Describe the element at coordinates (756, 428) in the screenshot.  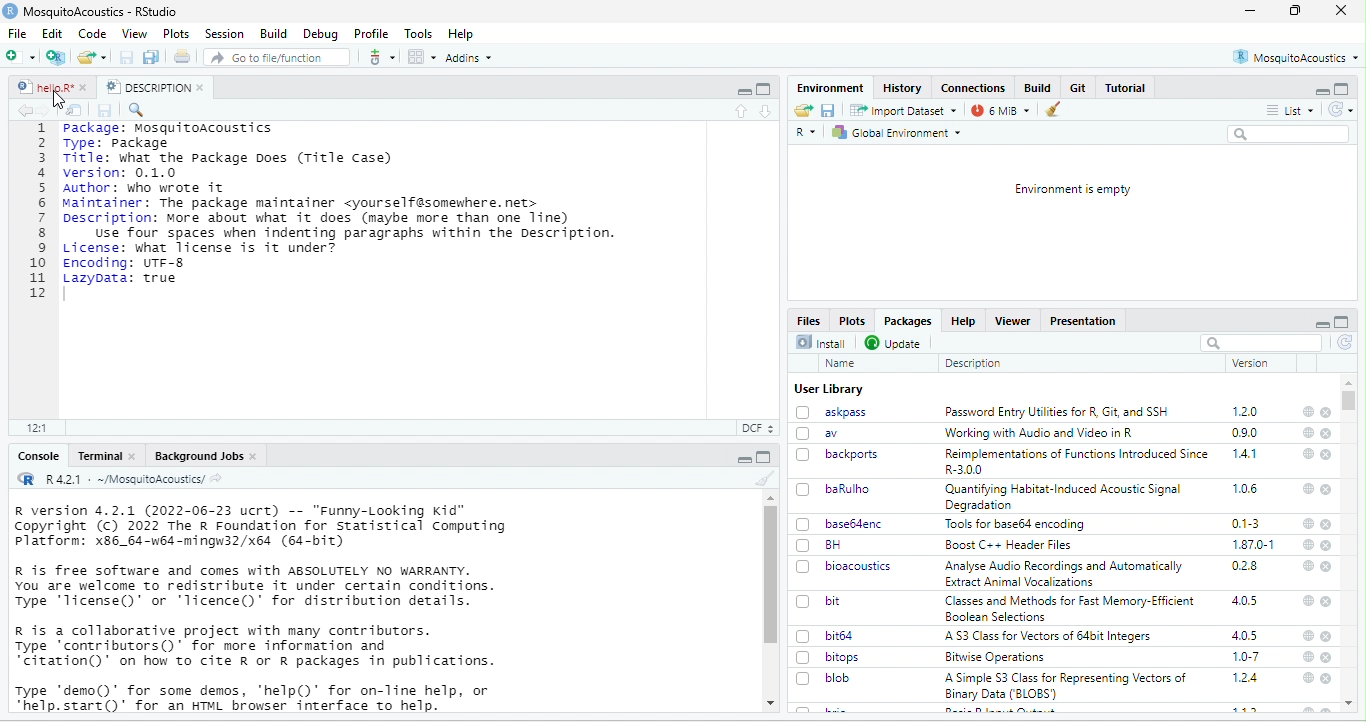
I see `DCF` at that location.